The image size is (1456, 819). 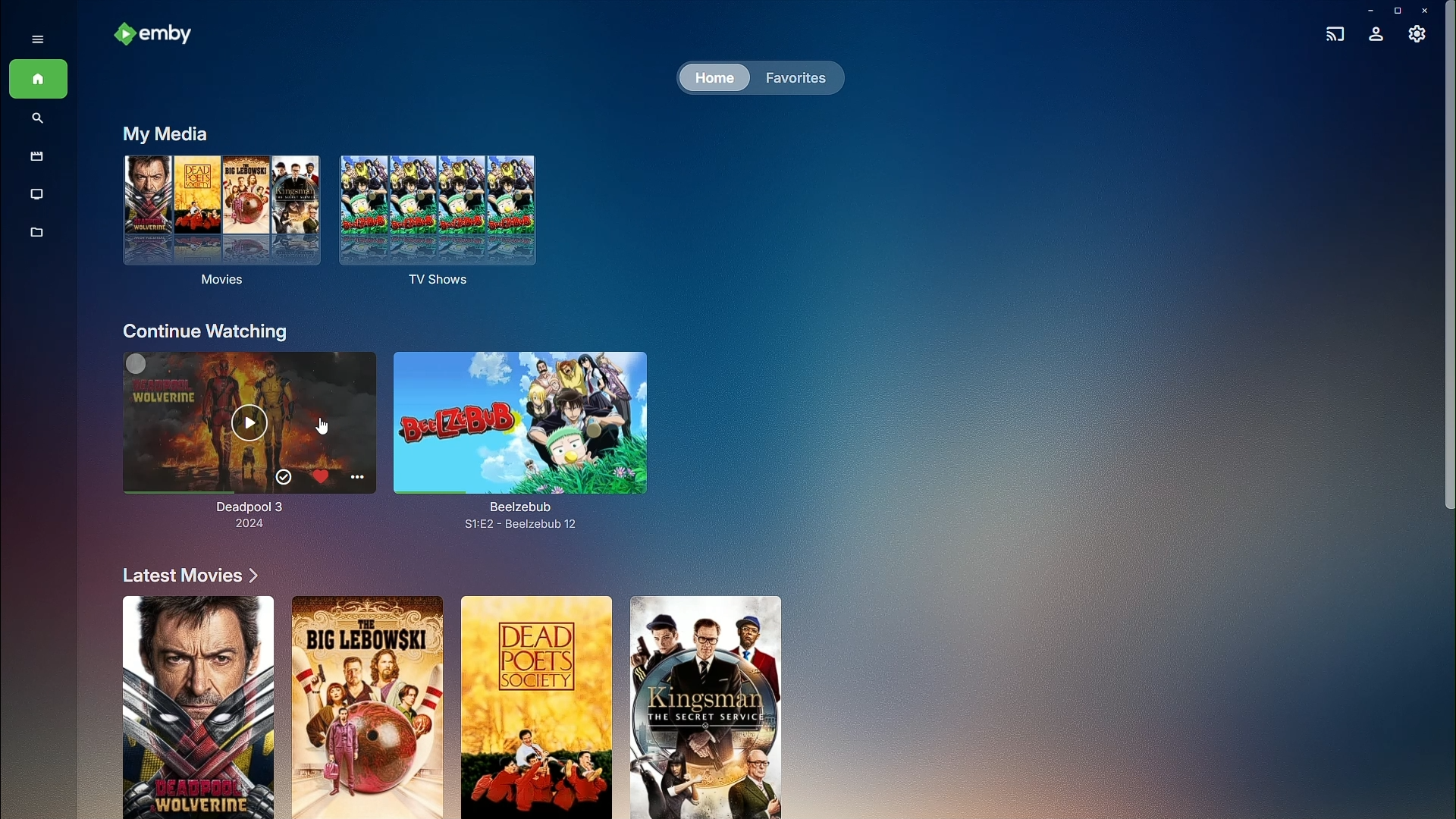 What do you see at coordinates (39, 81) in the screenshot?
I see `Home` at bounding box center [39, 81].